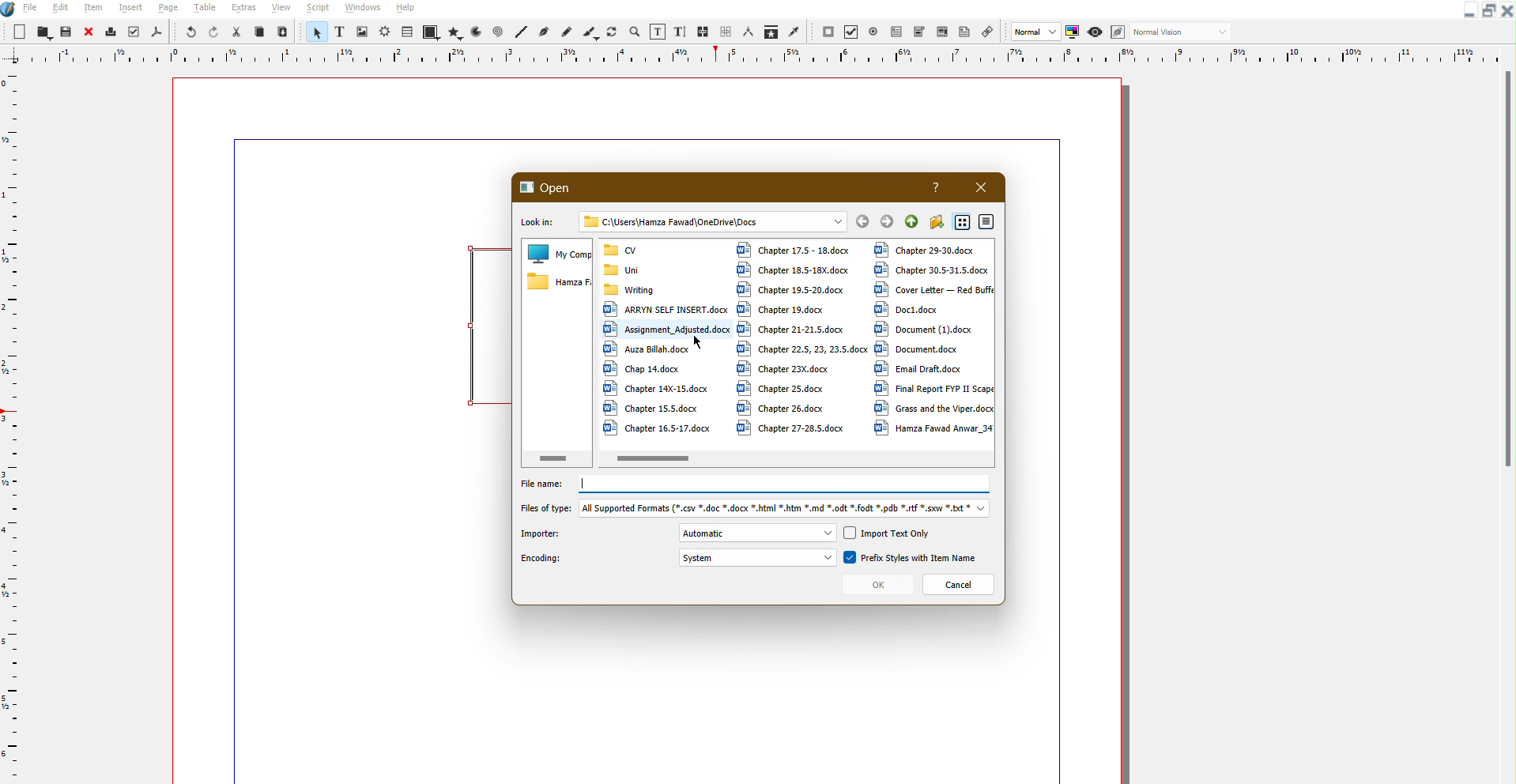 This screenshot has width=1516, height=784. I want to click on Print, so click(109, 32).